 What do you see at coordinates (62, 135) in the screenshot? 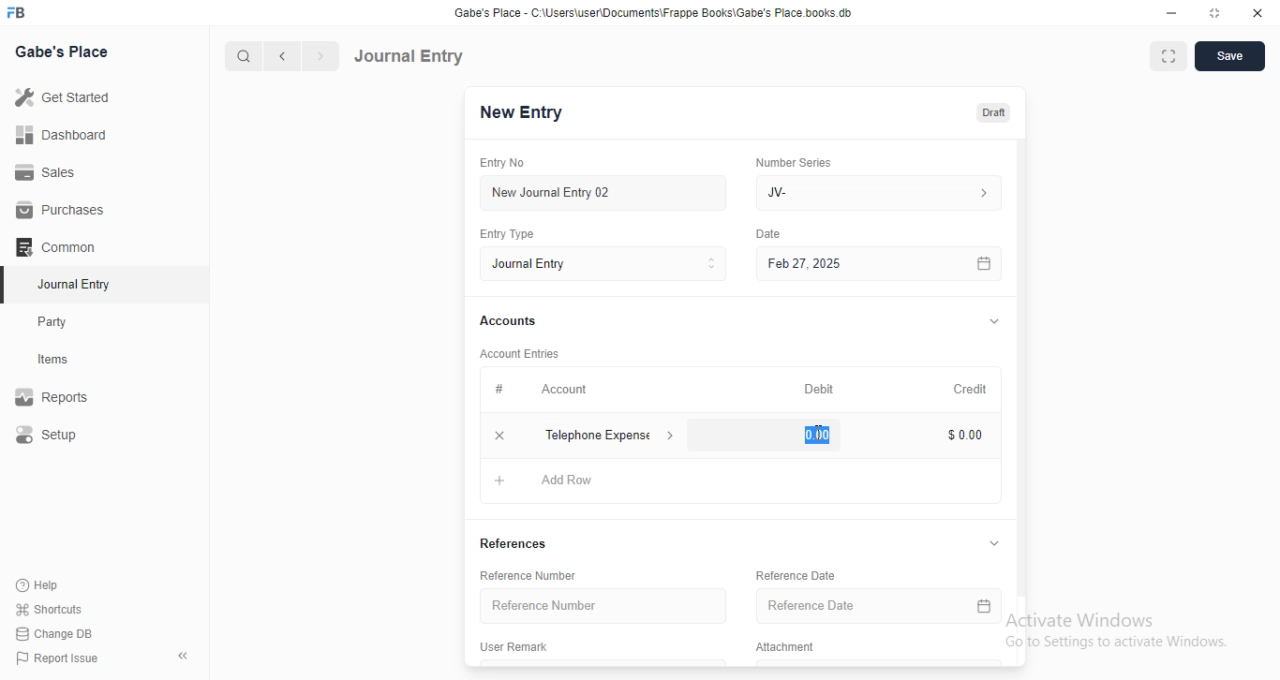
I see `Dashboard` at bounding box center [62, 135].